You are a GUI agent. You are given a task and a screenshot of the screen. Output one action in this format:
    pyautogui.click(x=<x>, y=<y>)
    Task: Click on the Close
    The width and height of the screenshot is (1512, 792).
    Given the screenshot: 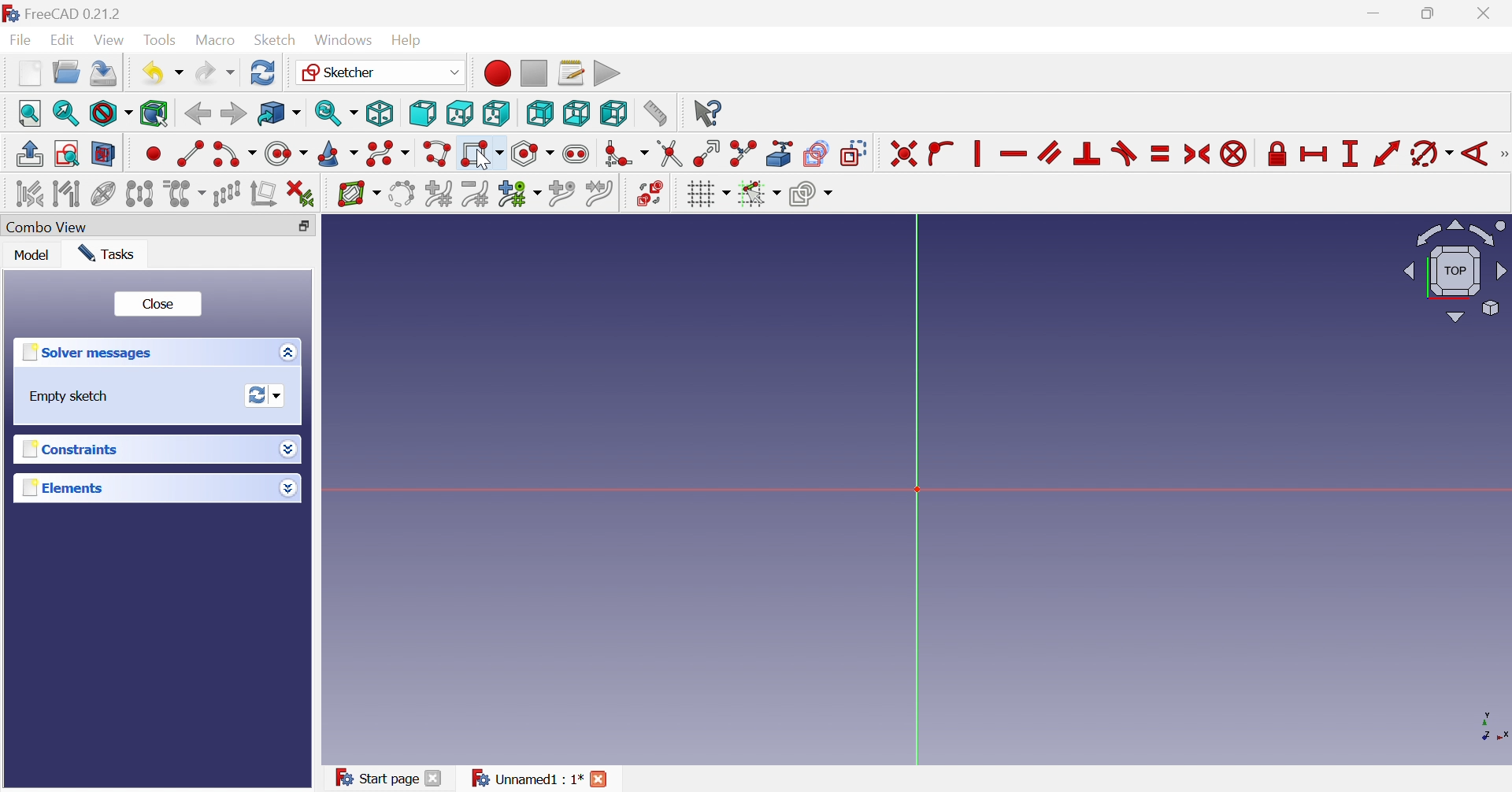 What is the action you would take?
    pyautogui.click(x=1487, y=14)
    